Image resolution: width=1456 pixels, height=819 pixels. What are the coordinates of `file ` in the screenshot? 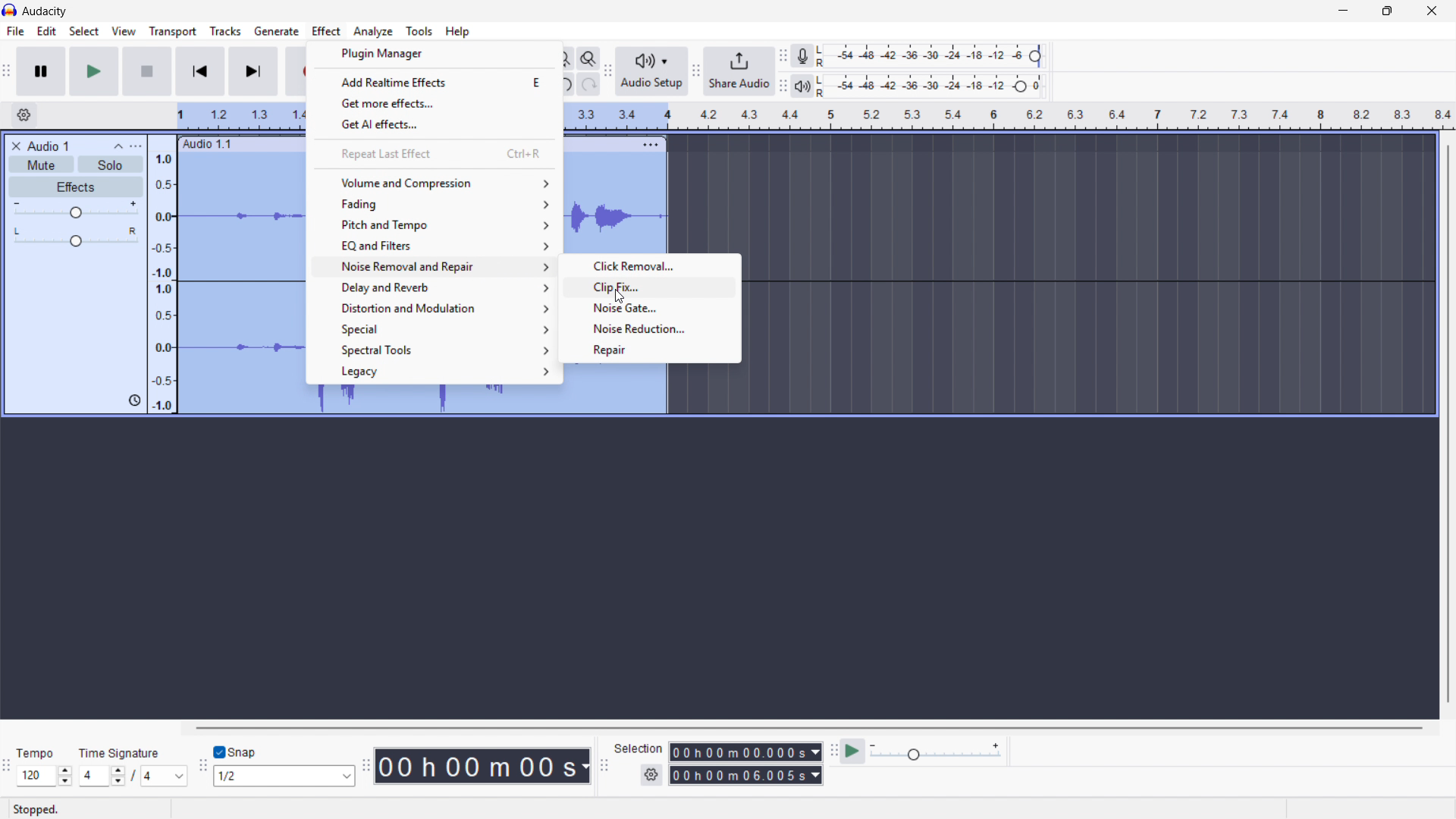 It's located at (14, 31).